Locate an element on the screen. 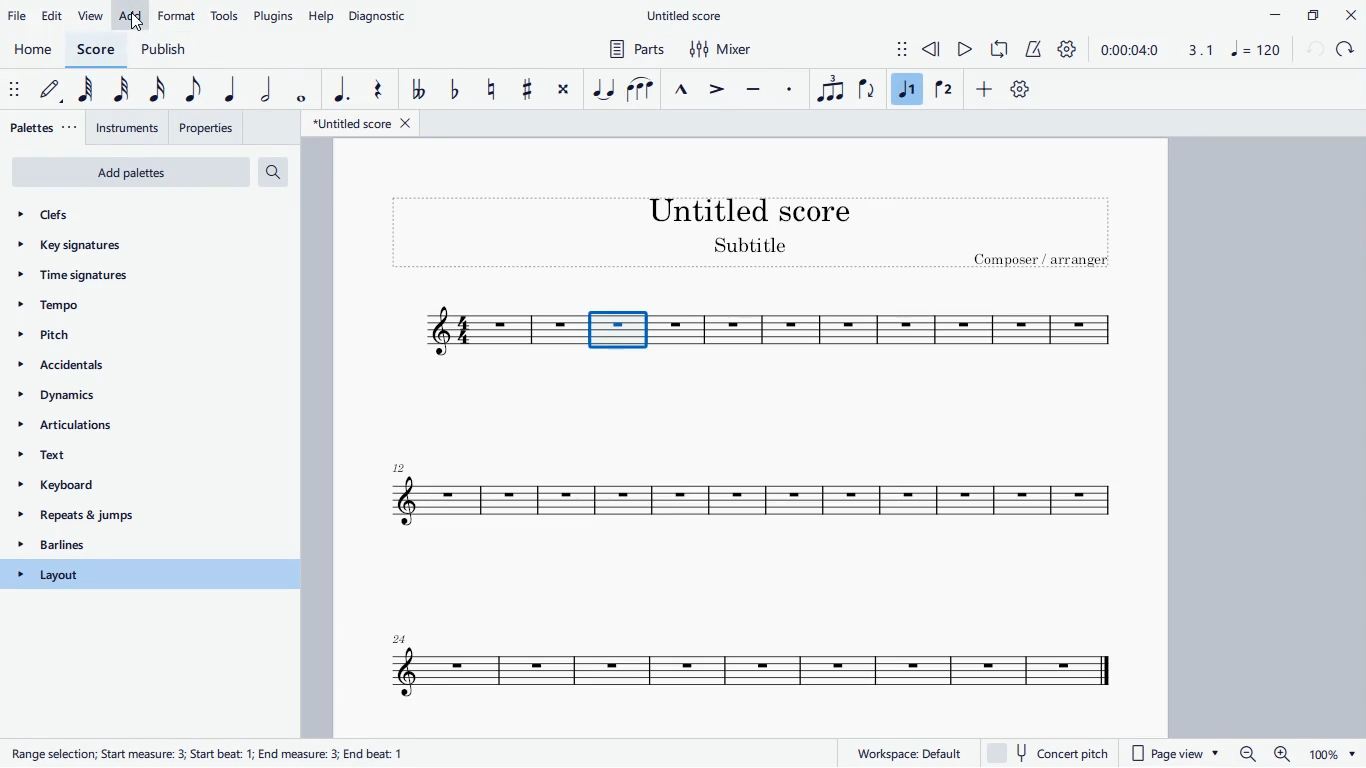 This screenshot has height=768, width=1366. publish is located at coordinates (163, 48).